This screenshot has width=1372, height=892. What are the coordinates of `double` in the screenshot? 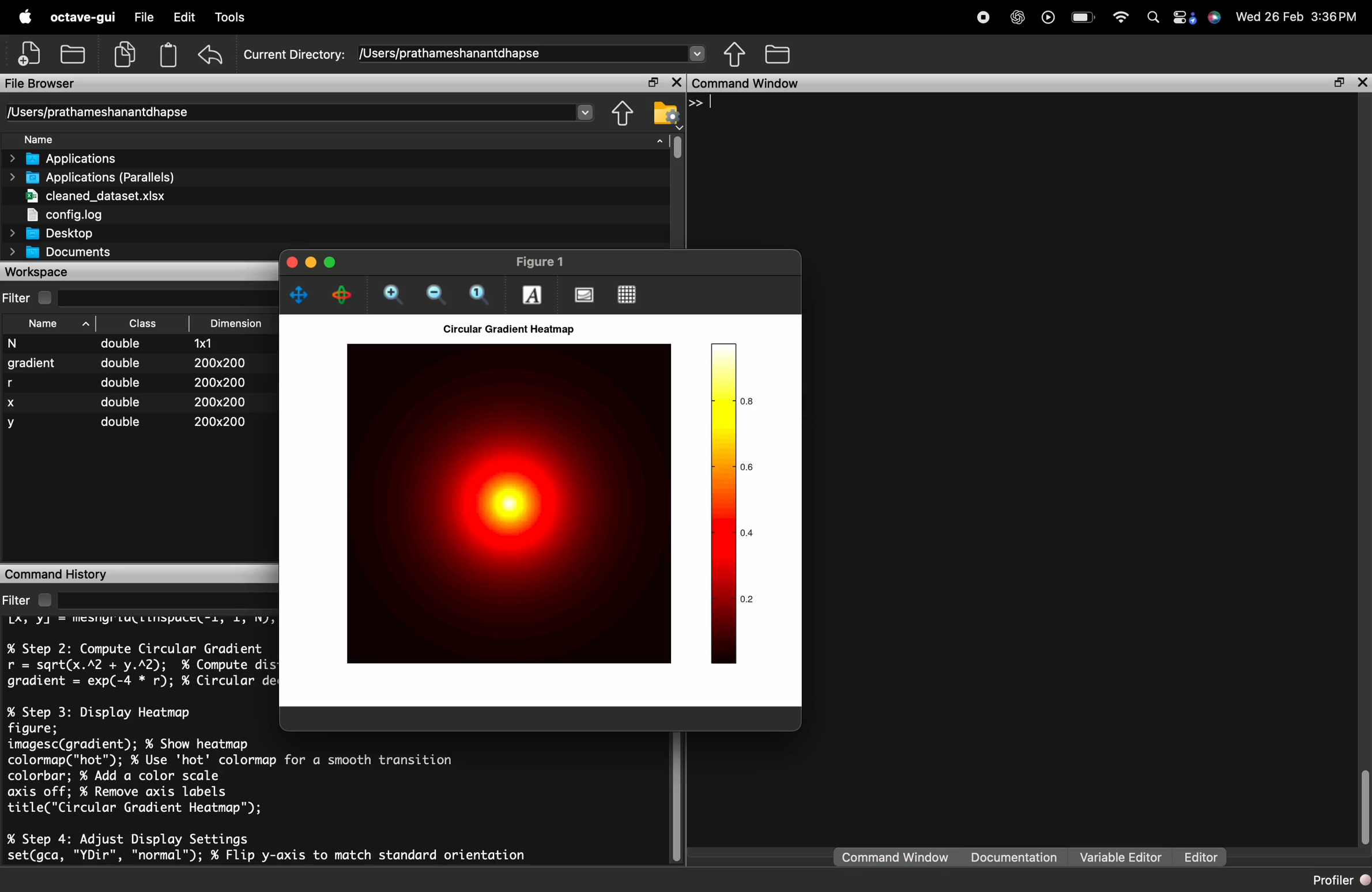 It's located at (126, 364).